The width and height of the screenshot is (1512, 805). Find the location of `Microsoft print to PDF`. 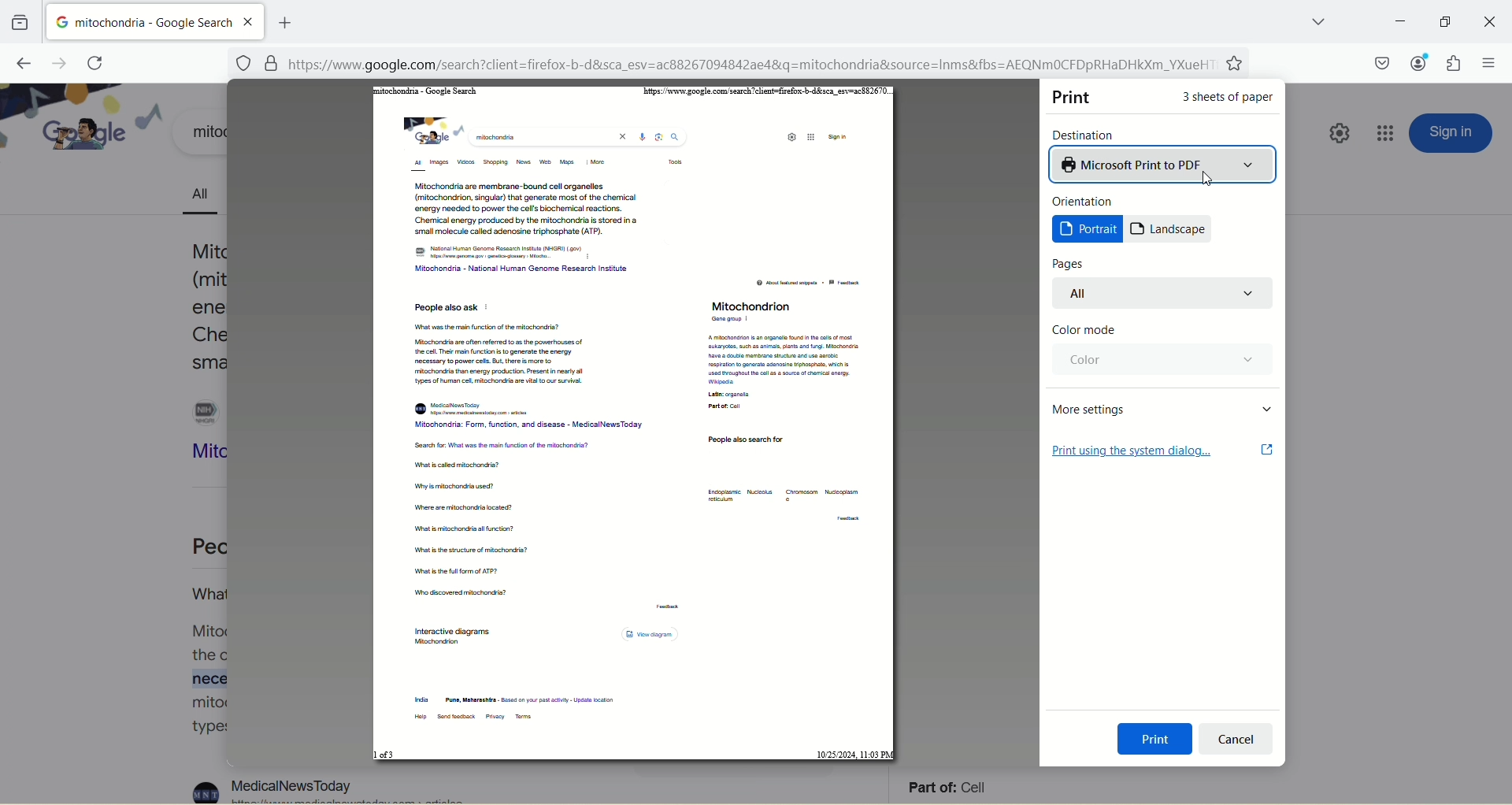

Microsoft print to PDF is located at coordinates (1164, 164).